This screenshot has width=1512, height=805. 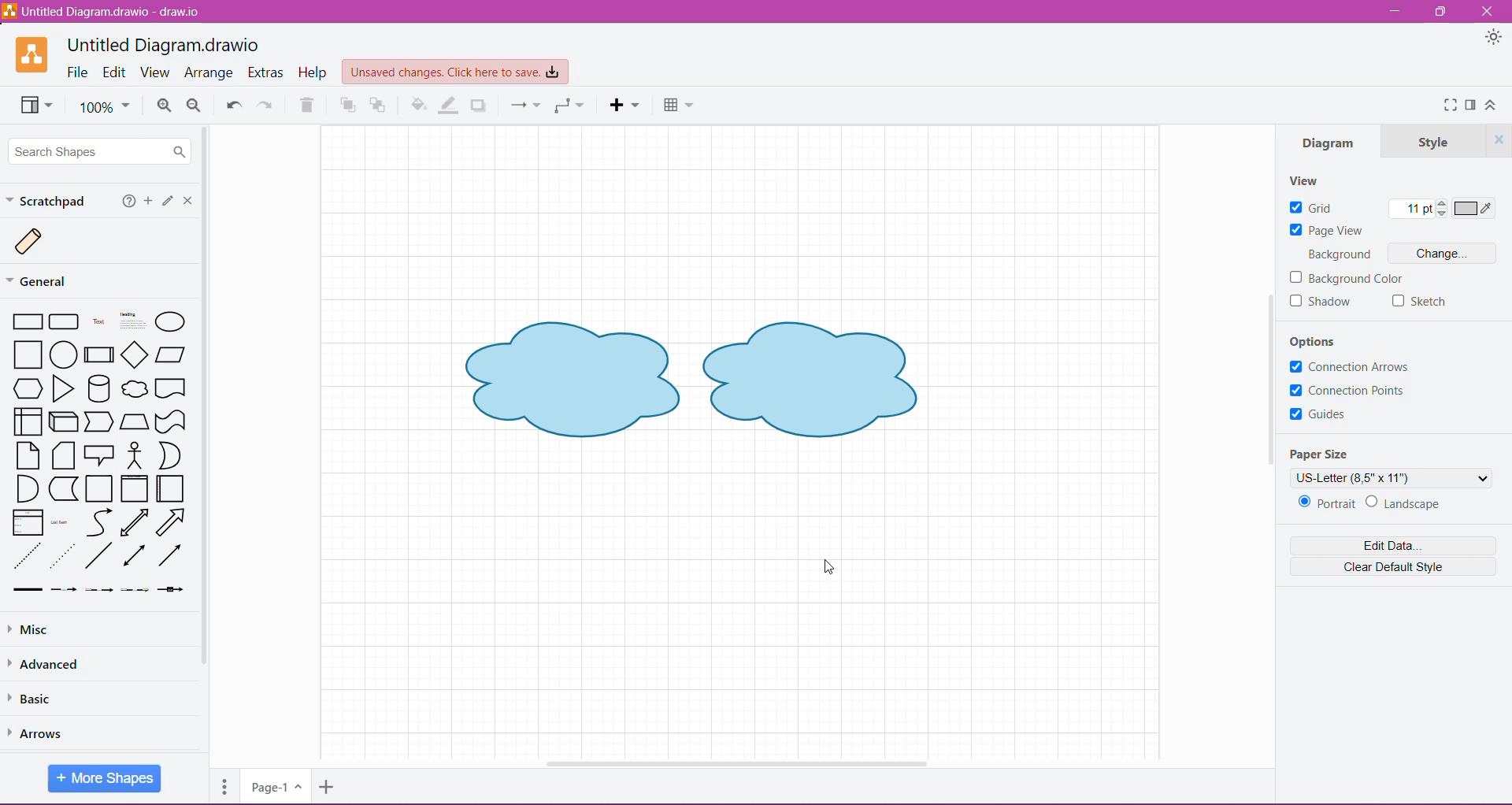 I want to click on Potrait, so click(x=1325, y=503).